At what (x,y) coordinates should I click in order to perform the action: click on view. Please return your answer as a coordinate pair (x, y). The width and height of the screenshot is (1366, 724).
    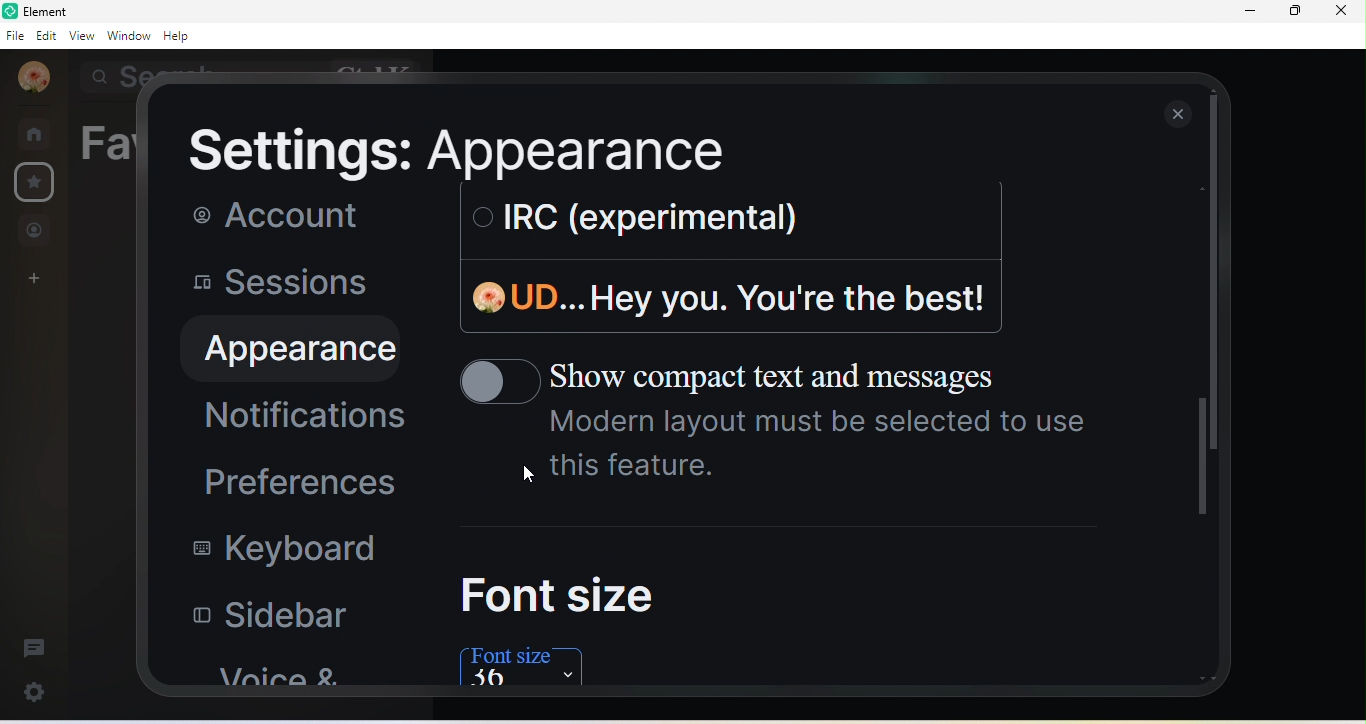
    Looking at the image, I should click on (80, 37).